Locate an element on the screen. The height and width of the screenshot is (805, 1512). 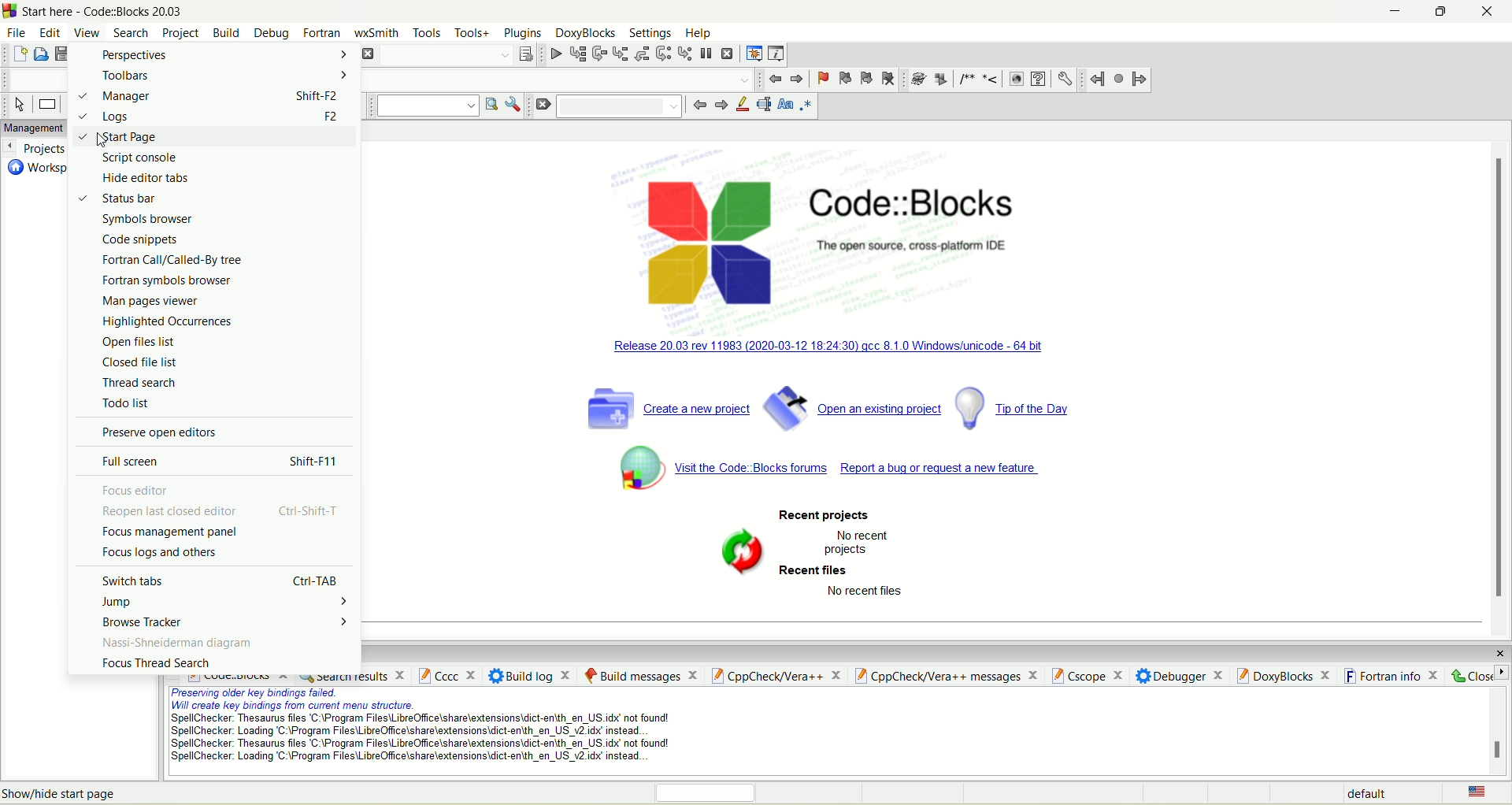
No recent files is located at coordinates (873, 592).